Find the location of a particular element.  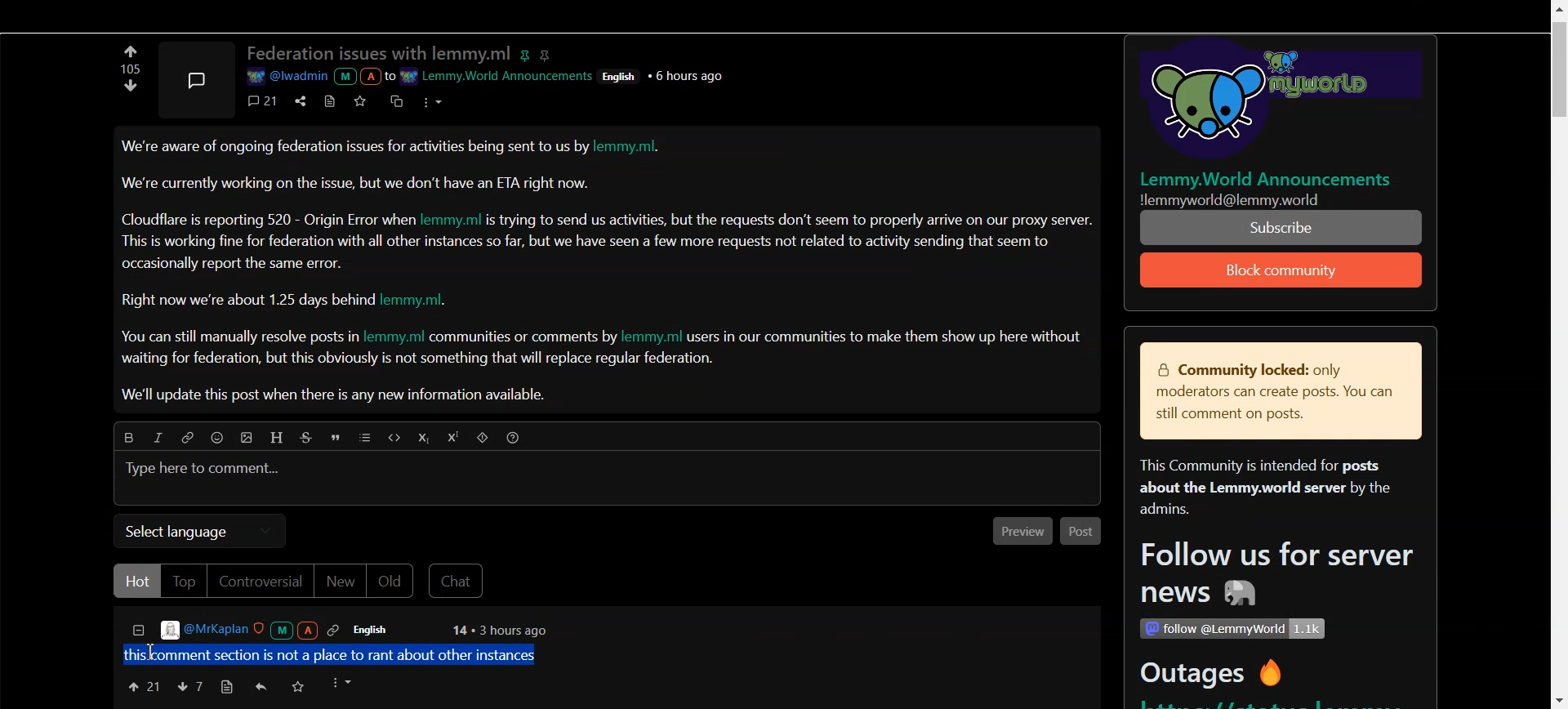

Upload picture is located at coordinates (250, 439).